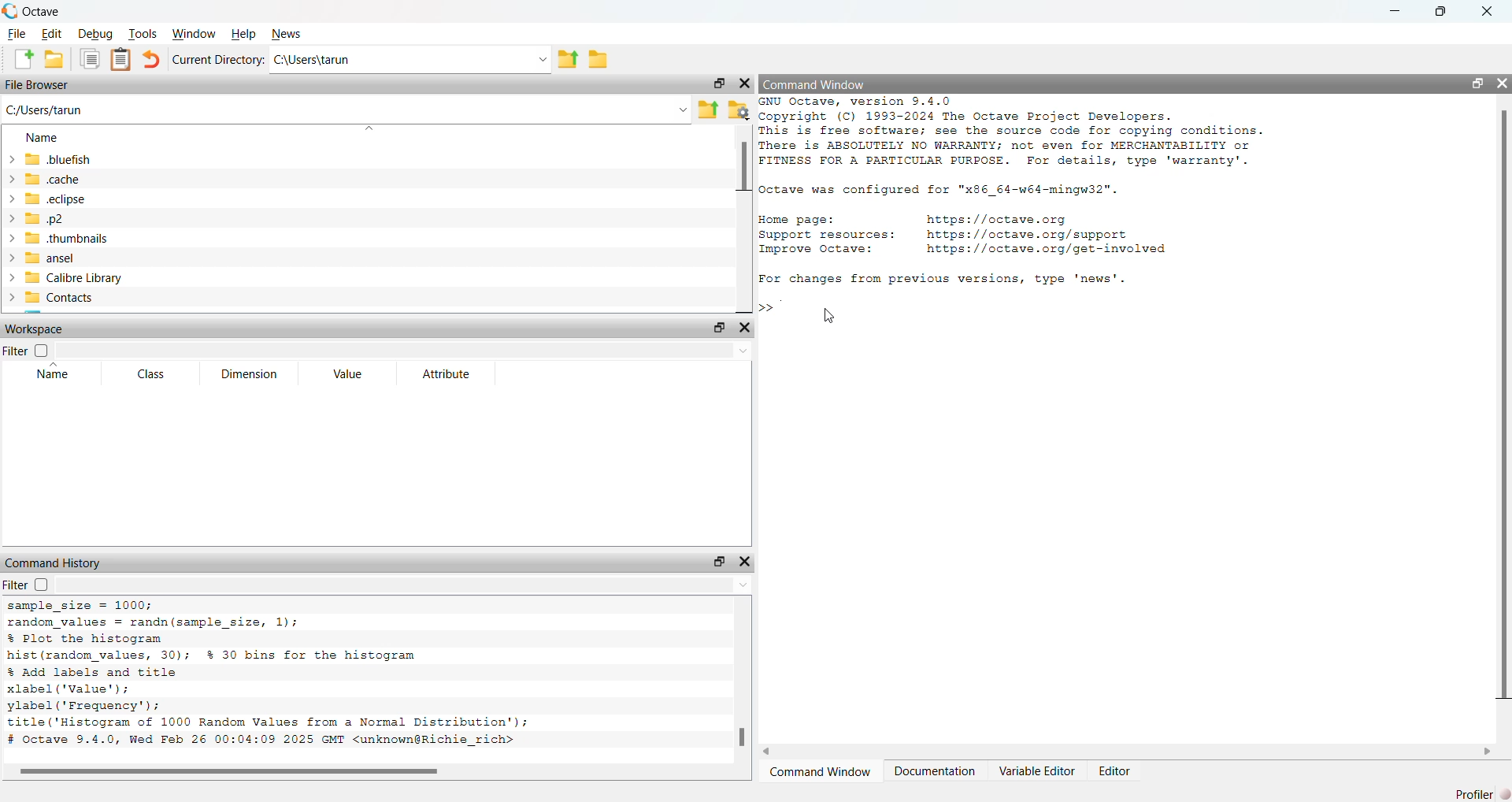  What do you see at coordinates (141, 33) in the screenshot?
I see `Tools` at bounding box center [141, 33].